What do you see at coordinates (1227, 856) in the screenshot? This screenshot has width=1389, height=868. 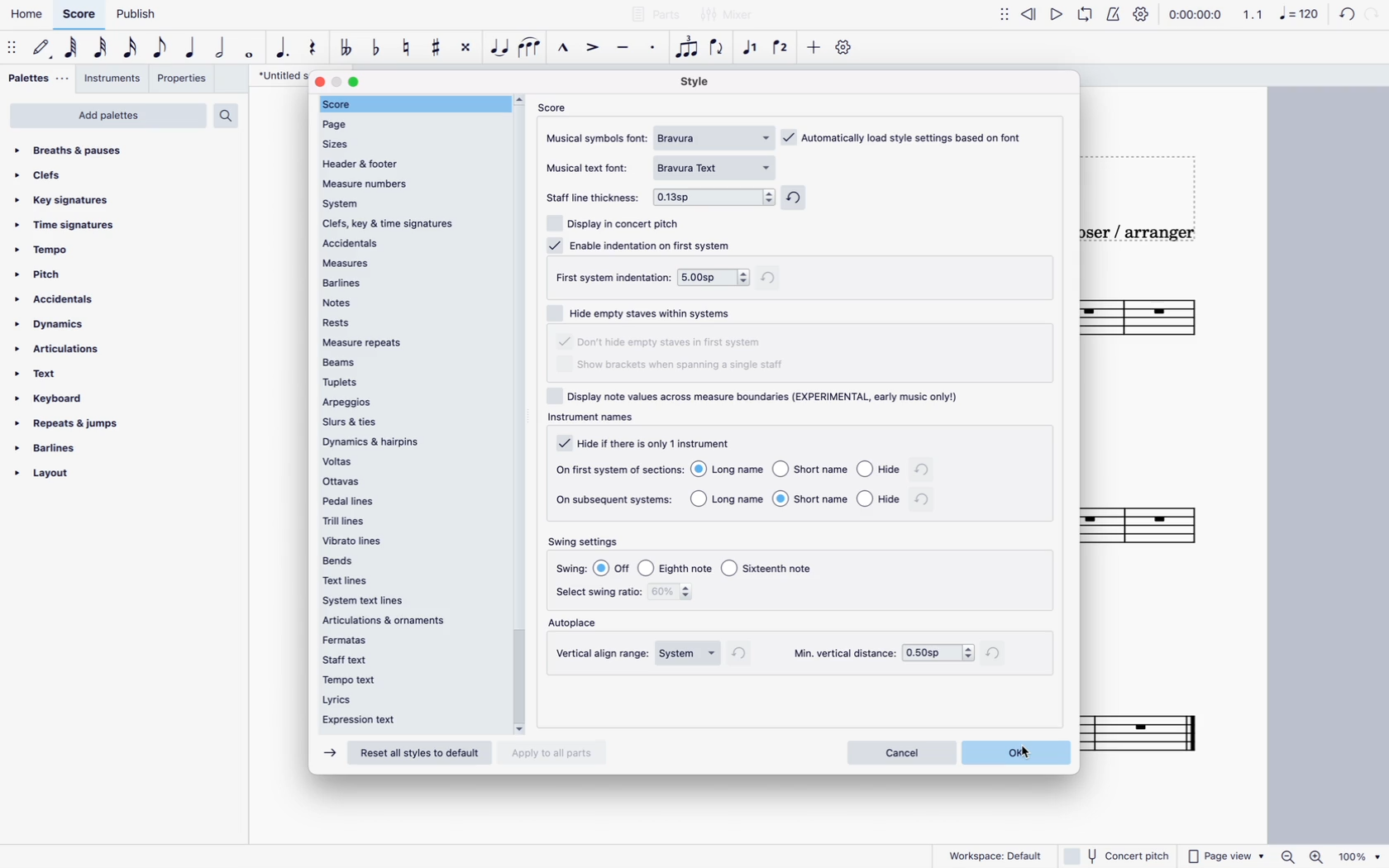 I see `Page view` at bounding box center [1227, 856].